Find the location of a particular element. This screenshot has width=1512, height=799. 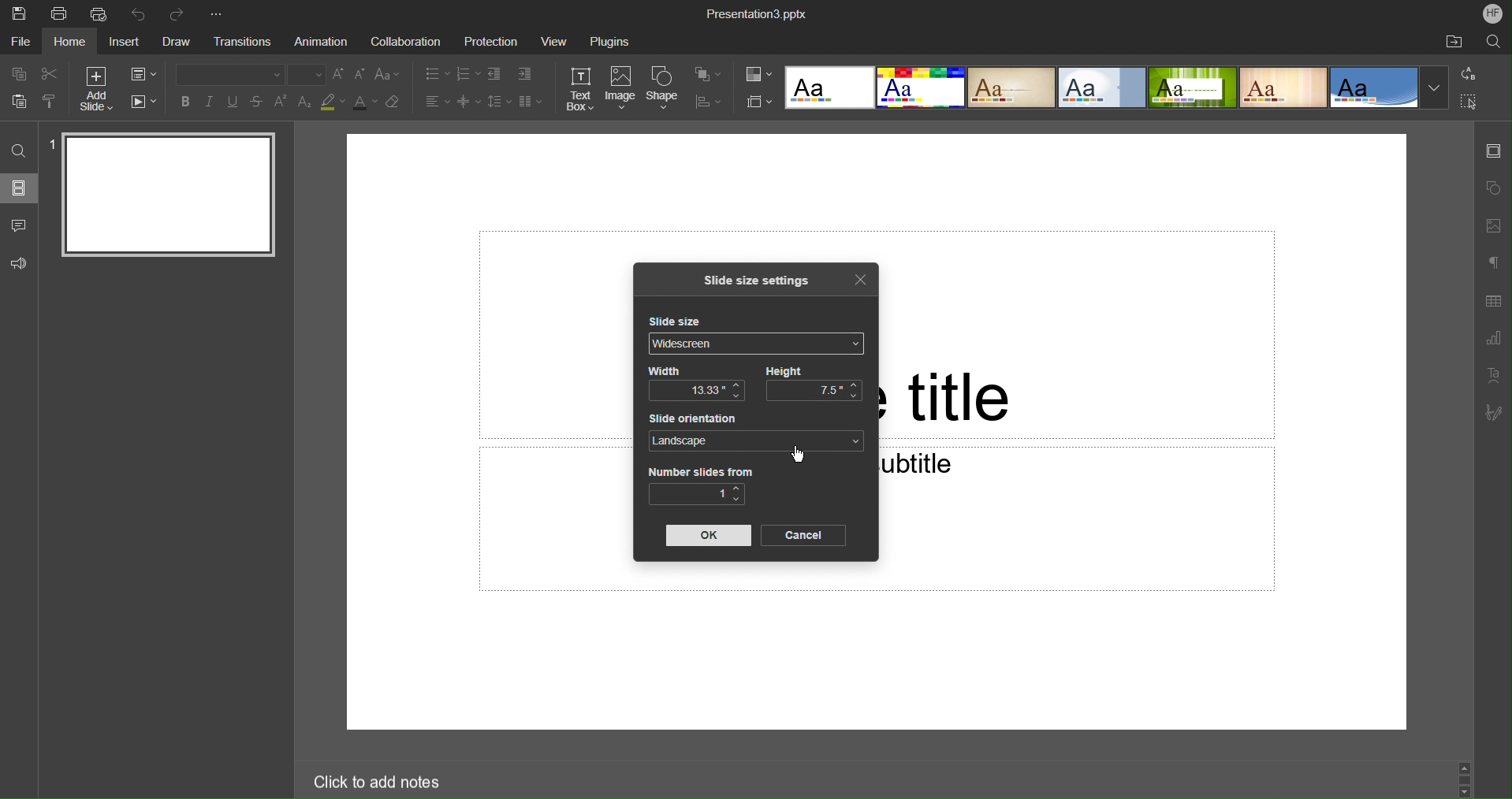

Strikethrough is located at coordinates (258, 102).